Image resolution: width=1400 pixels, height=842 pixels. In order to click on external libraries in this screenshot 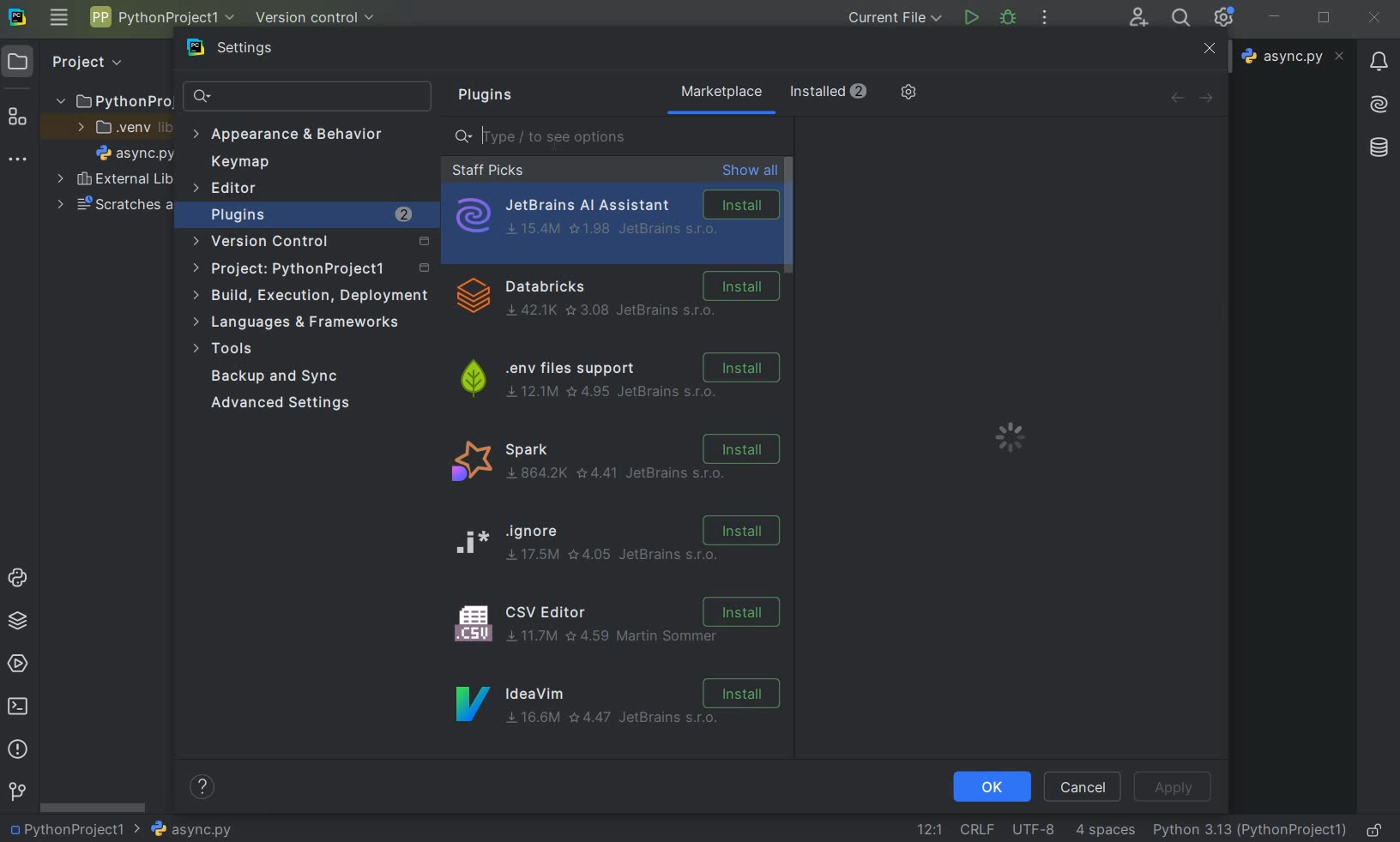, I will do `click(112, 178)`.